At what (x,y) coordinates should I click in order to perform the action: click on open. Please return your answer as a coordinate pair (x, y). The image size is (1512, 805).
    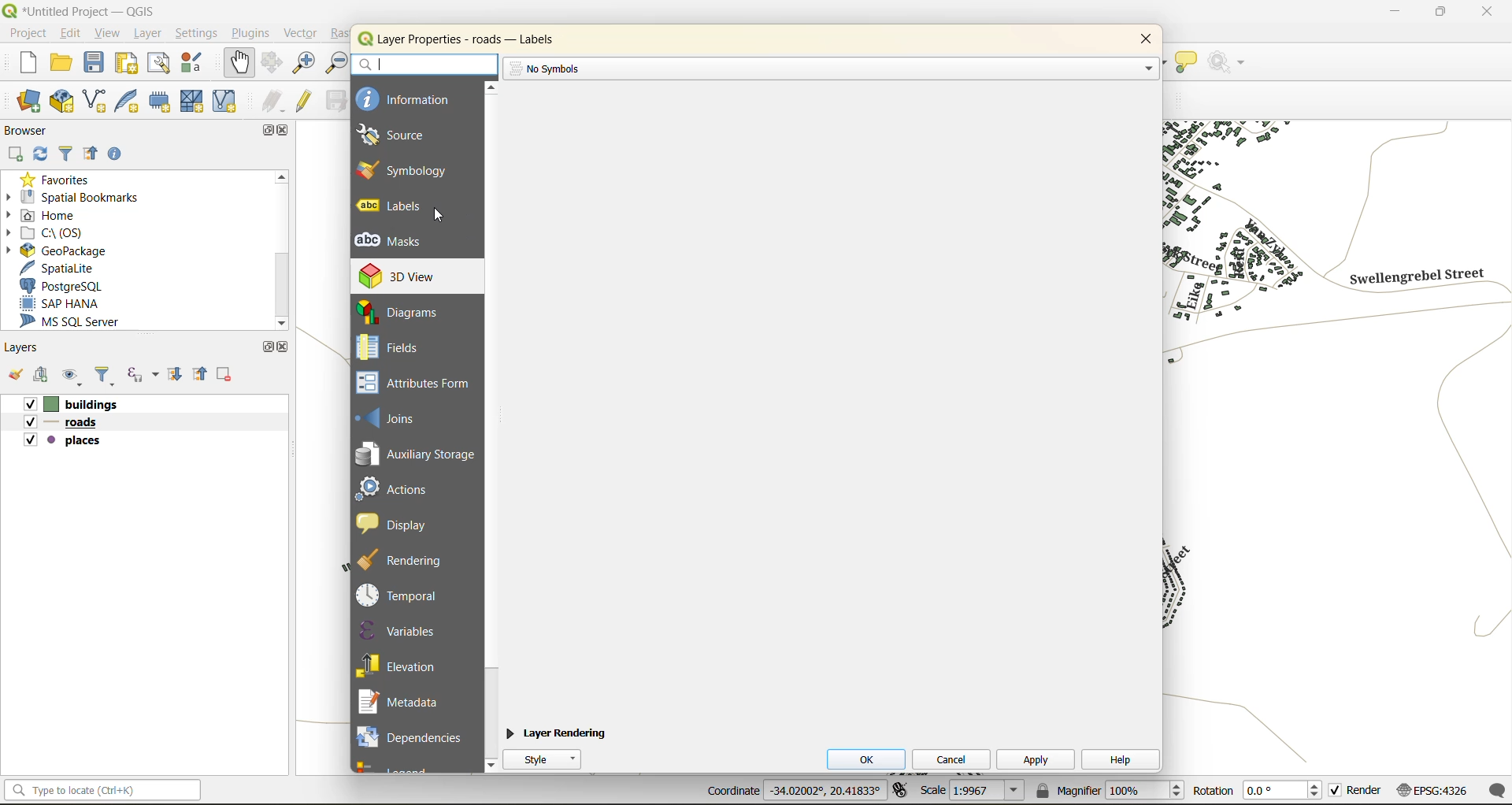
    Looking at the image, I should click on (64, 63).